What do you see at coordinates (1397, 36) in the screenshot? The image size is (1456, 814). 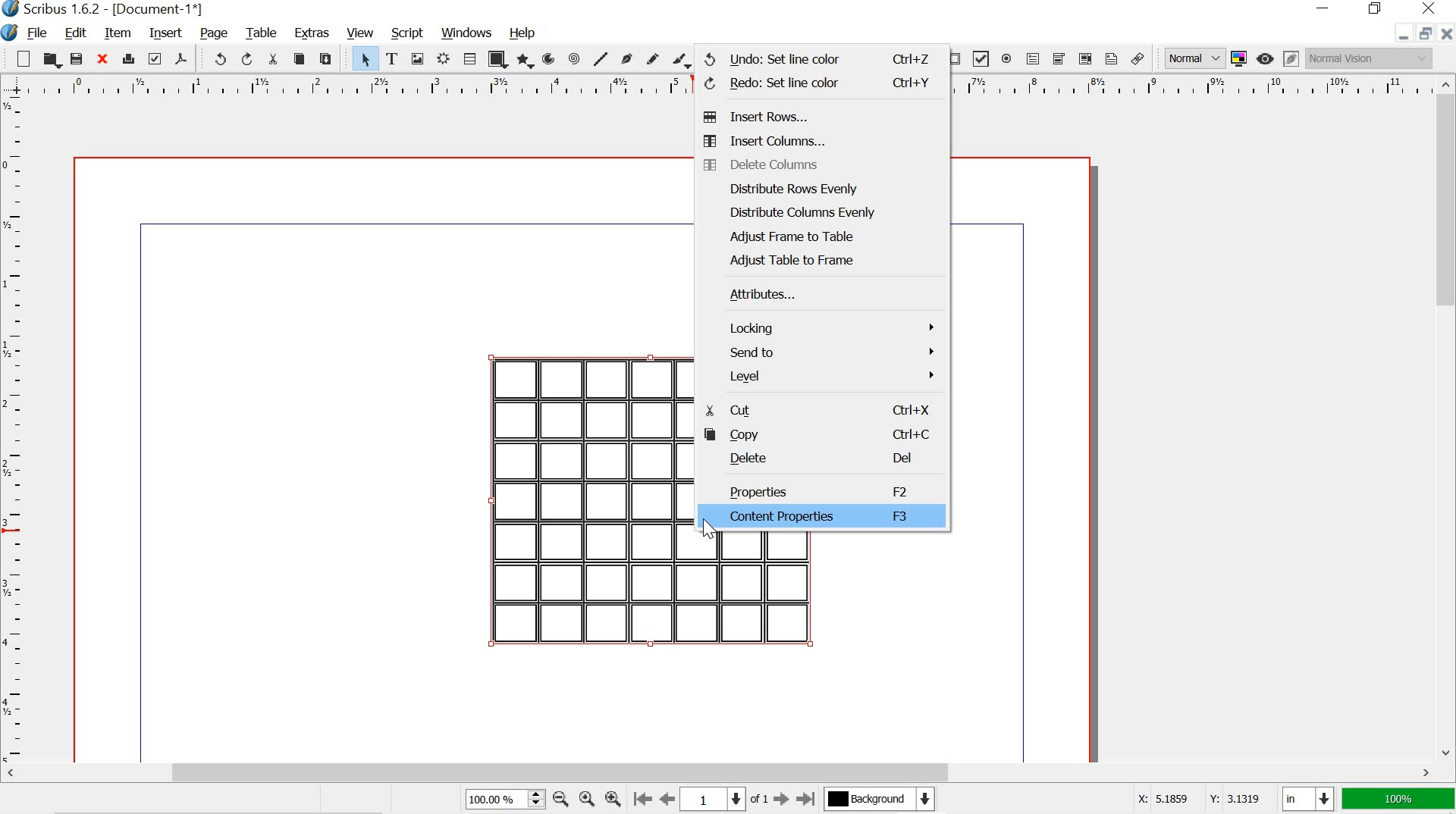 I see `minimize` at bounding box center [1397, 36].